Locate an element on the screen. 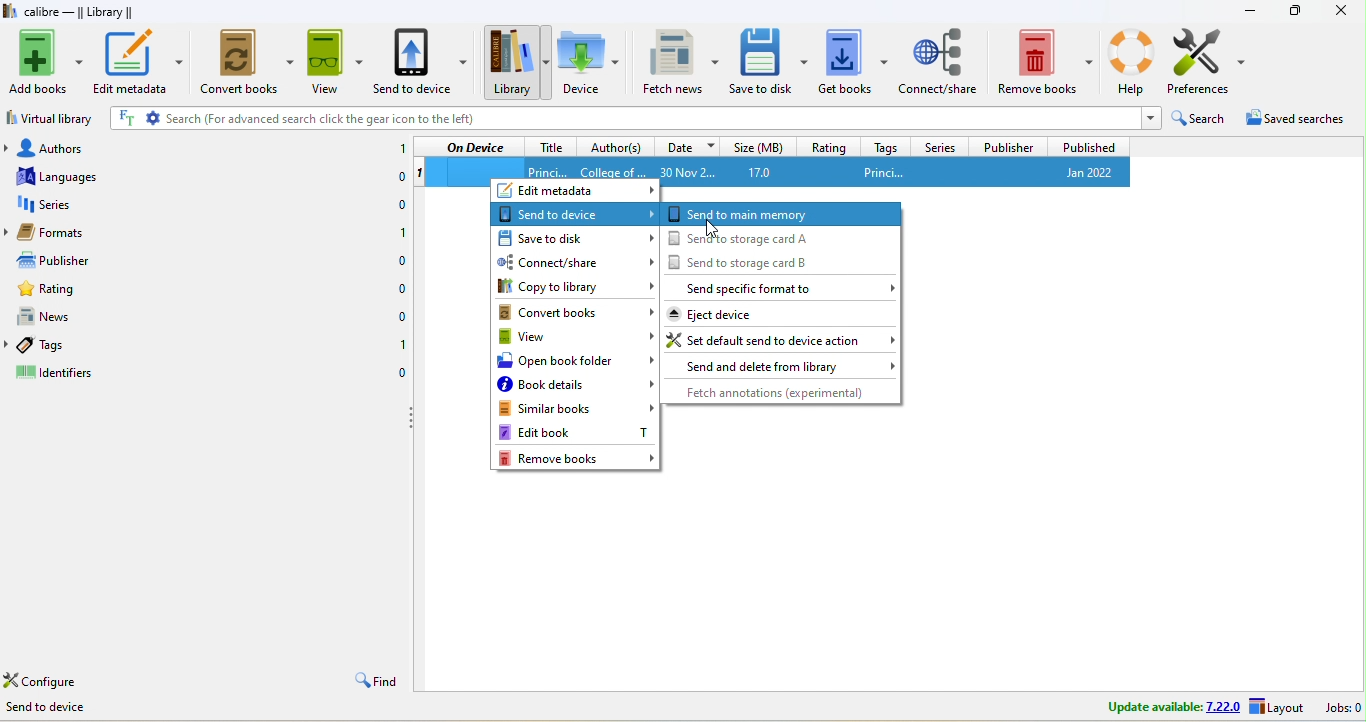  convert books is located at coordinates (249, 62).